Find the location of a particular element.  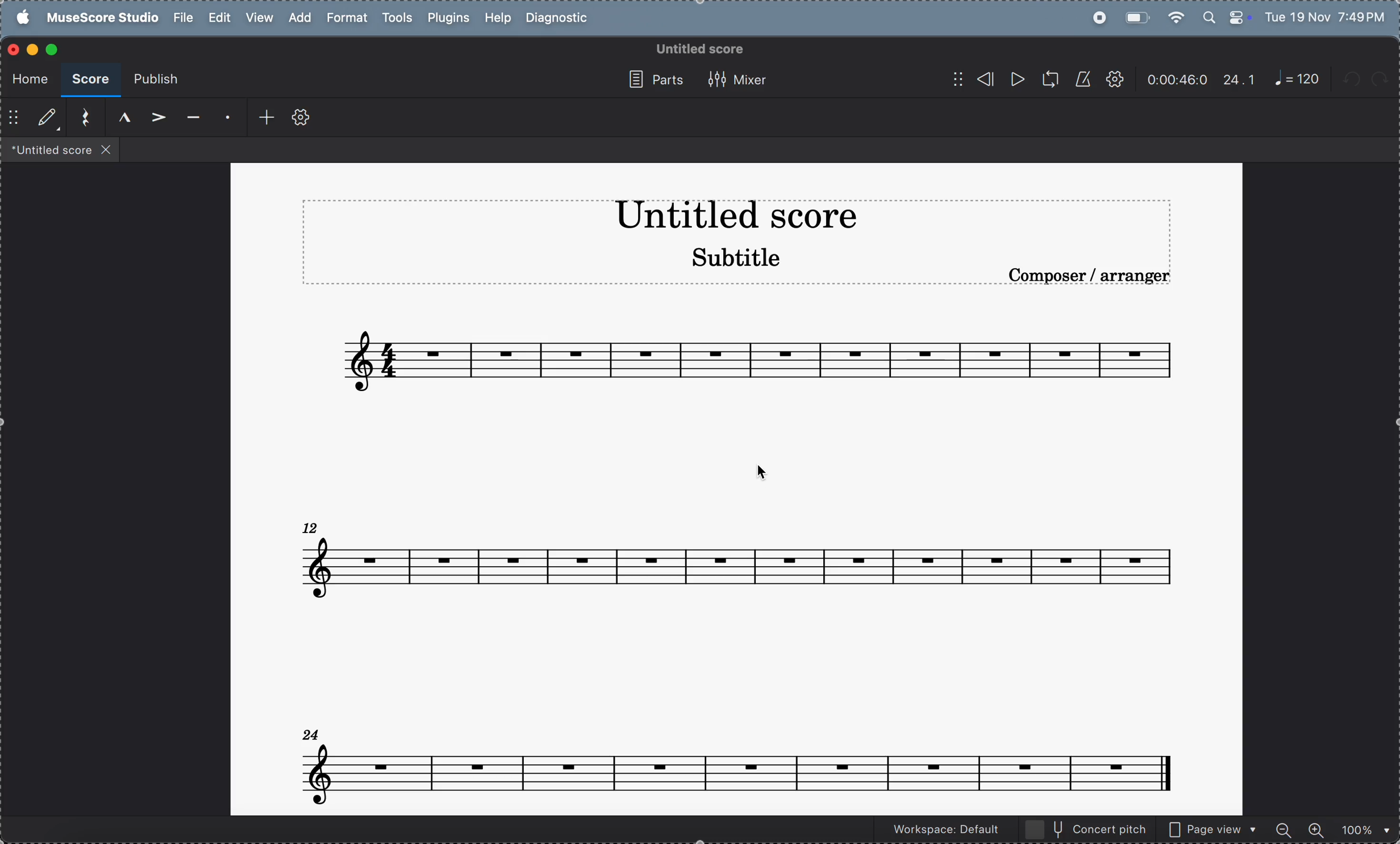

musescore studio is located at coordinates (99, 18).